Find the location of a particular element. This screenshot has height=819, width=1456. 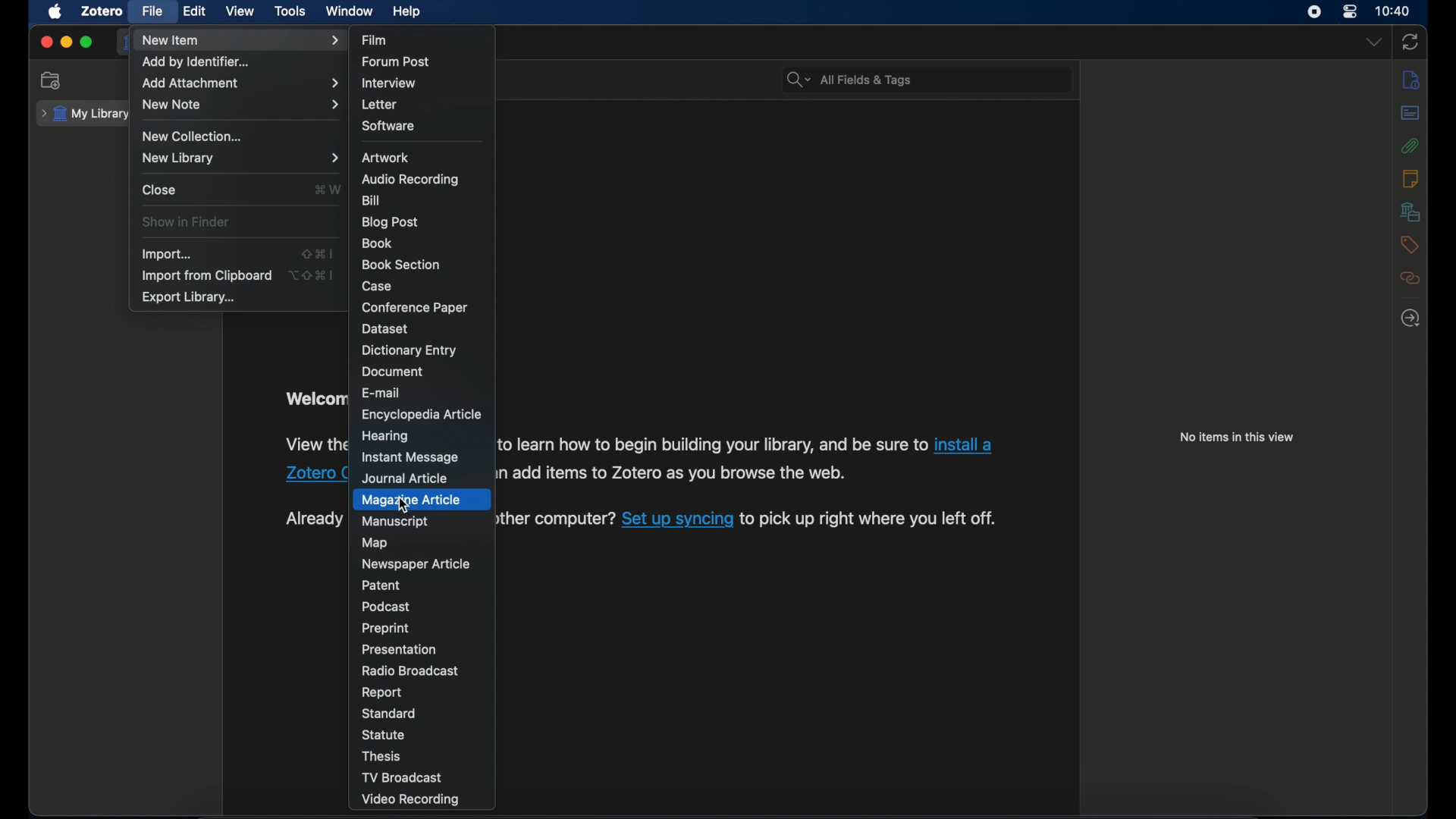

shortcut is located at coordinates (328, 189).